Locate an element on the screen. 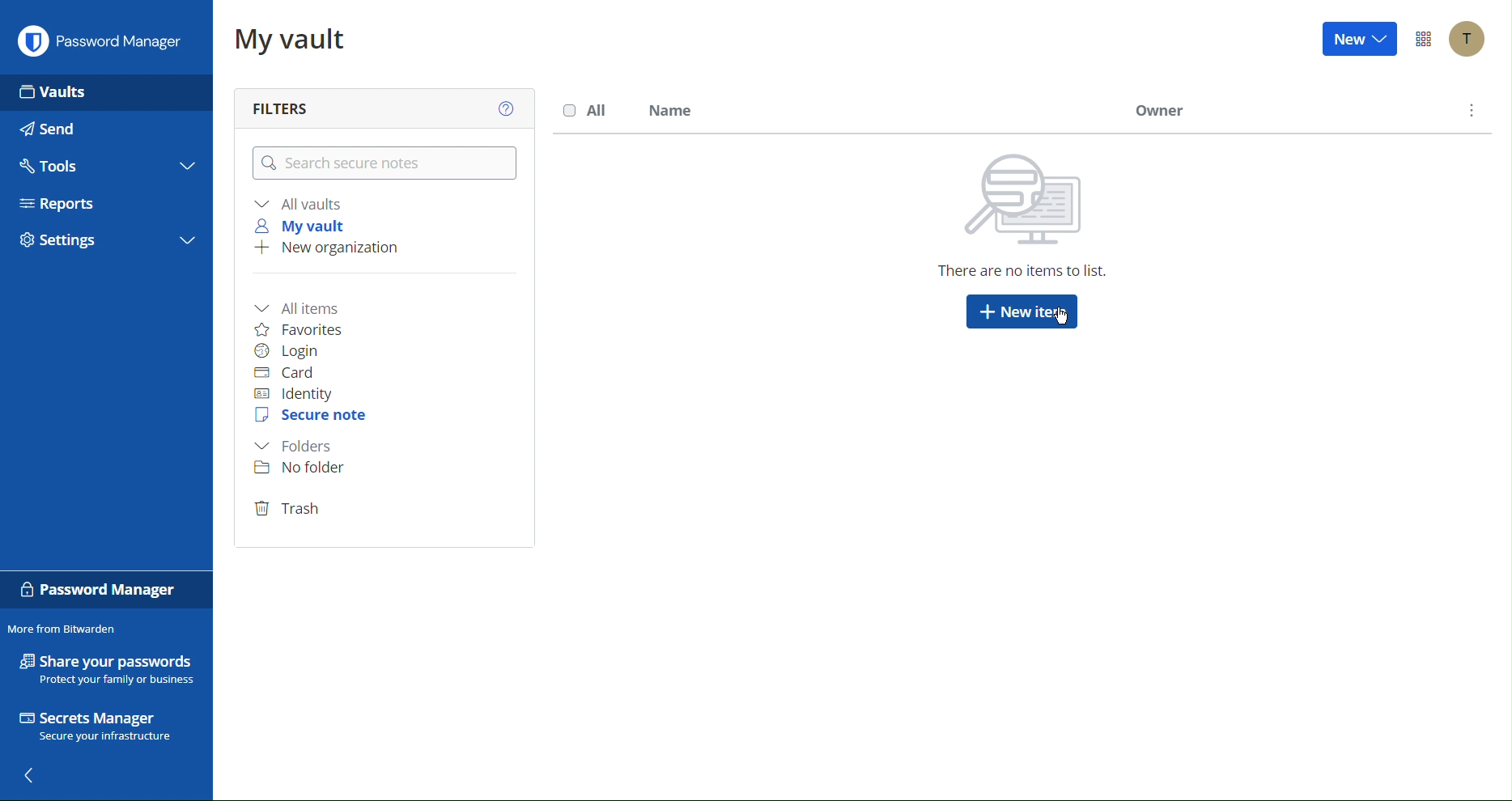 Image resolution: width=1512 pixels, height=801 pixels. Tools is located at coordinates (55, 165).